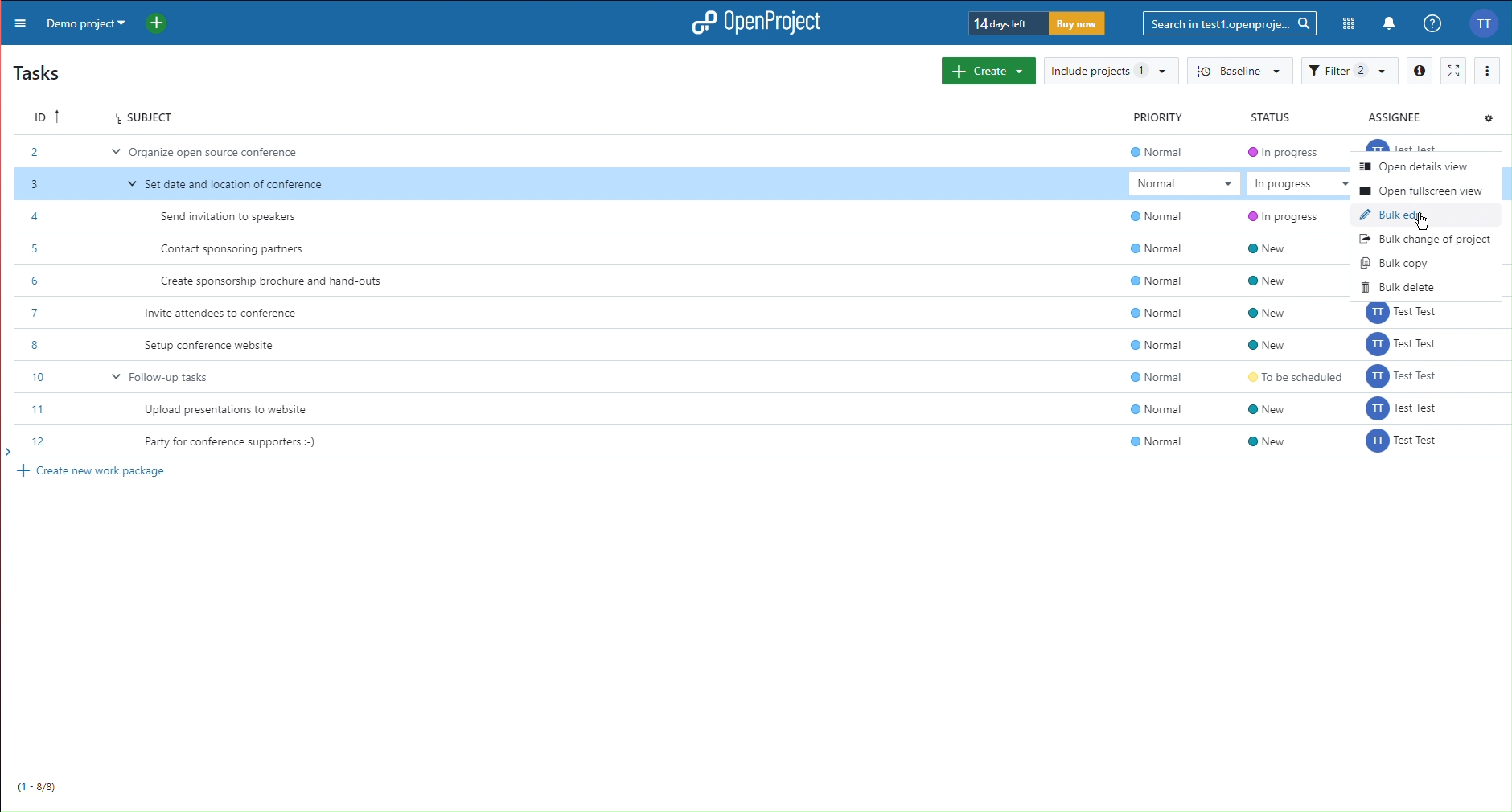  What do you see at coordinates (210, 346) in the screenshot?
I see `Setup conference website` at bounding box center [210, 346].